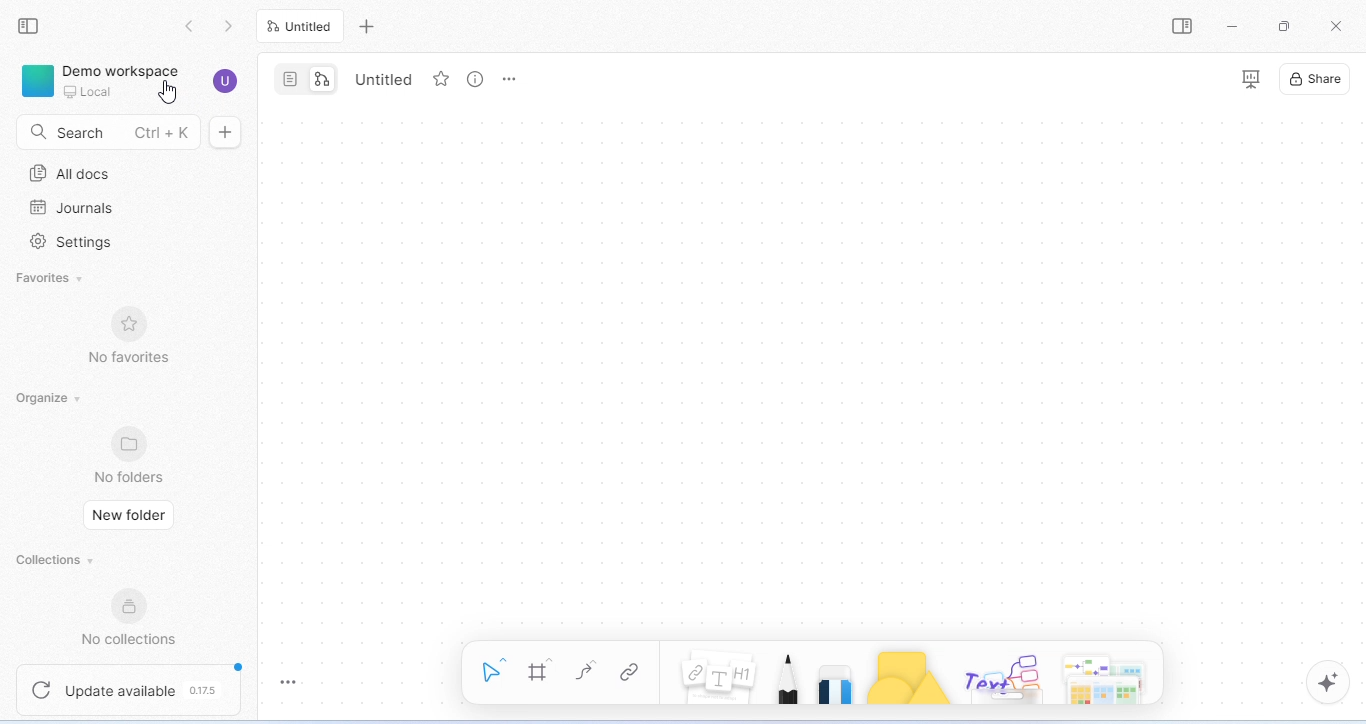 This screenshot has height=724, width=1366. What do you see at coordinates (324, 79) in the screenshot?
I see `edgeless mode` at bounding box center [324, 79].